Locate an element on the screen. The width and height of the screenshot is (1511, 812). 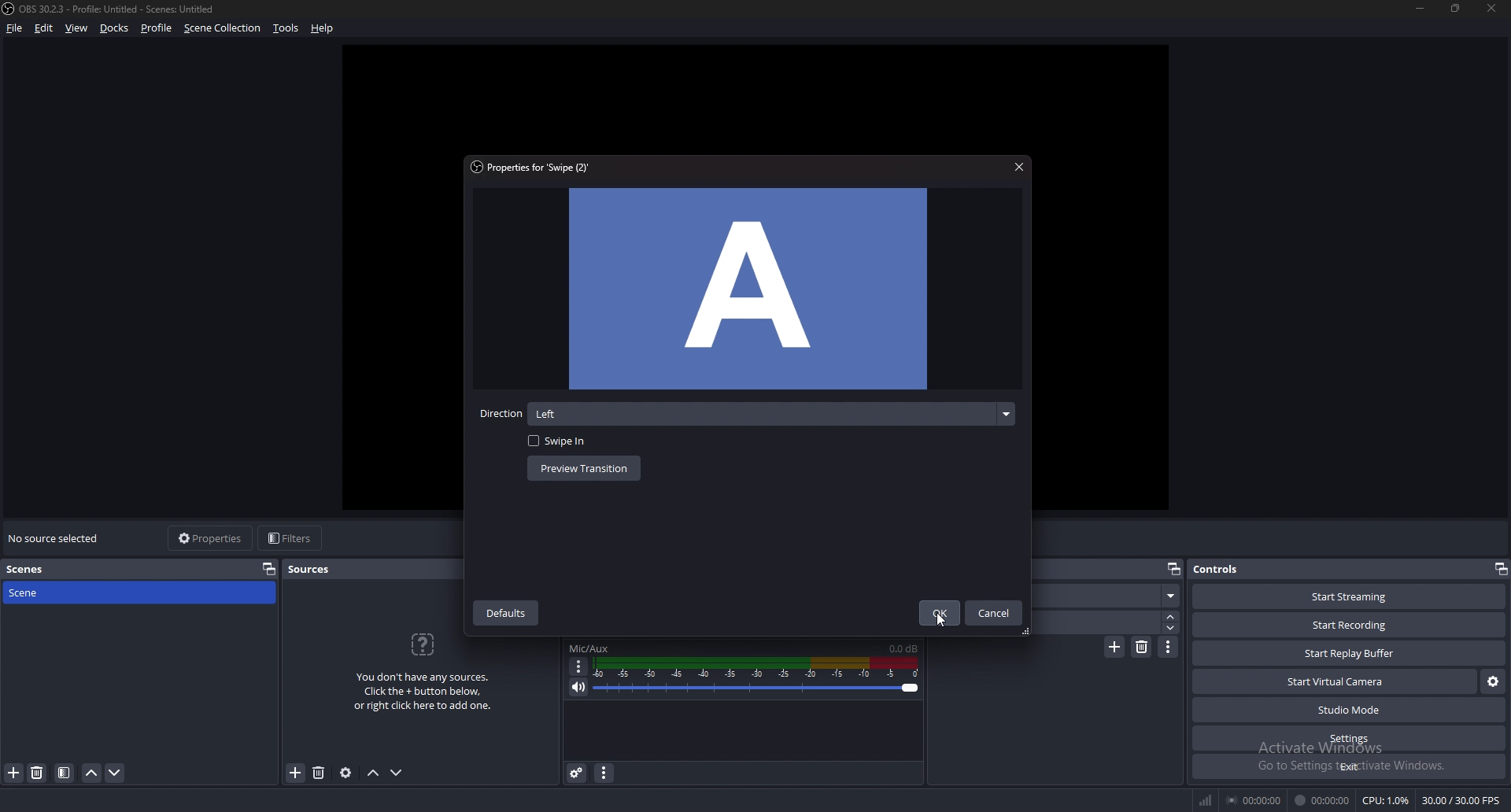
filters is located at coordinates (290, 538).